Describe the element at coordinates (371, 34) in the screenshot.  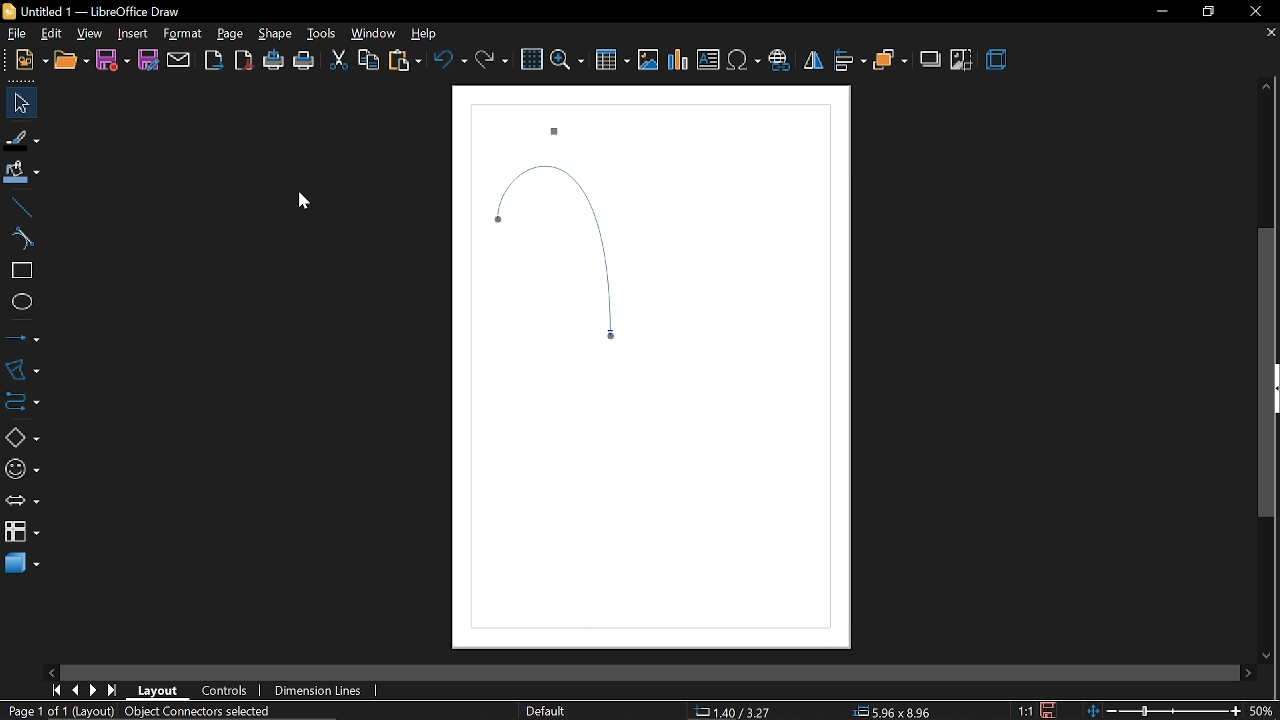
I see `window` at that location.